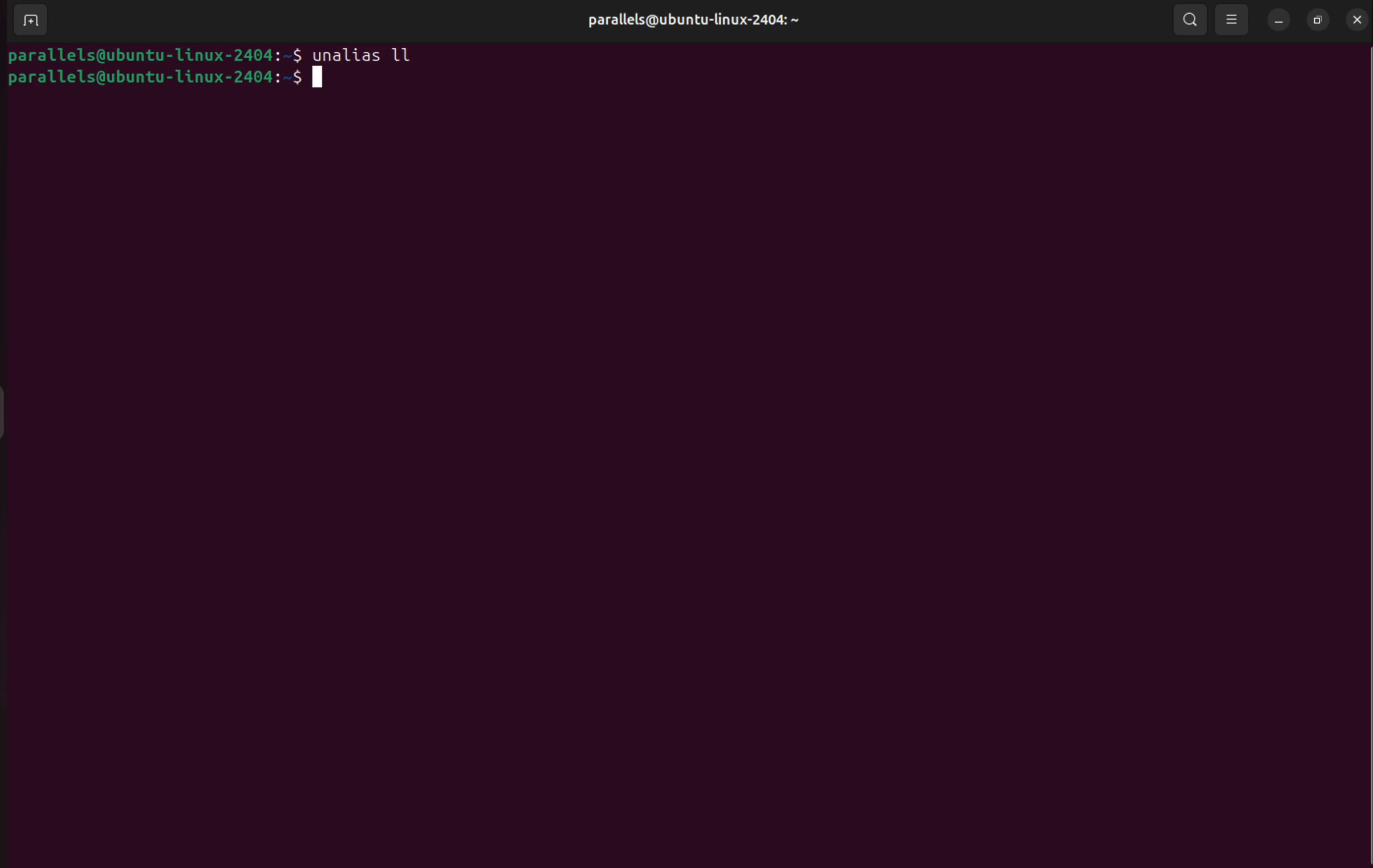 The width and height of the screenshot is (1373, 868). I want to click on unalias ll, so click(363, 55).